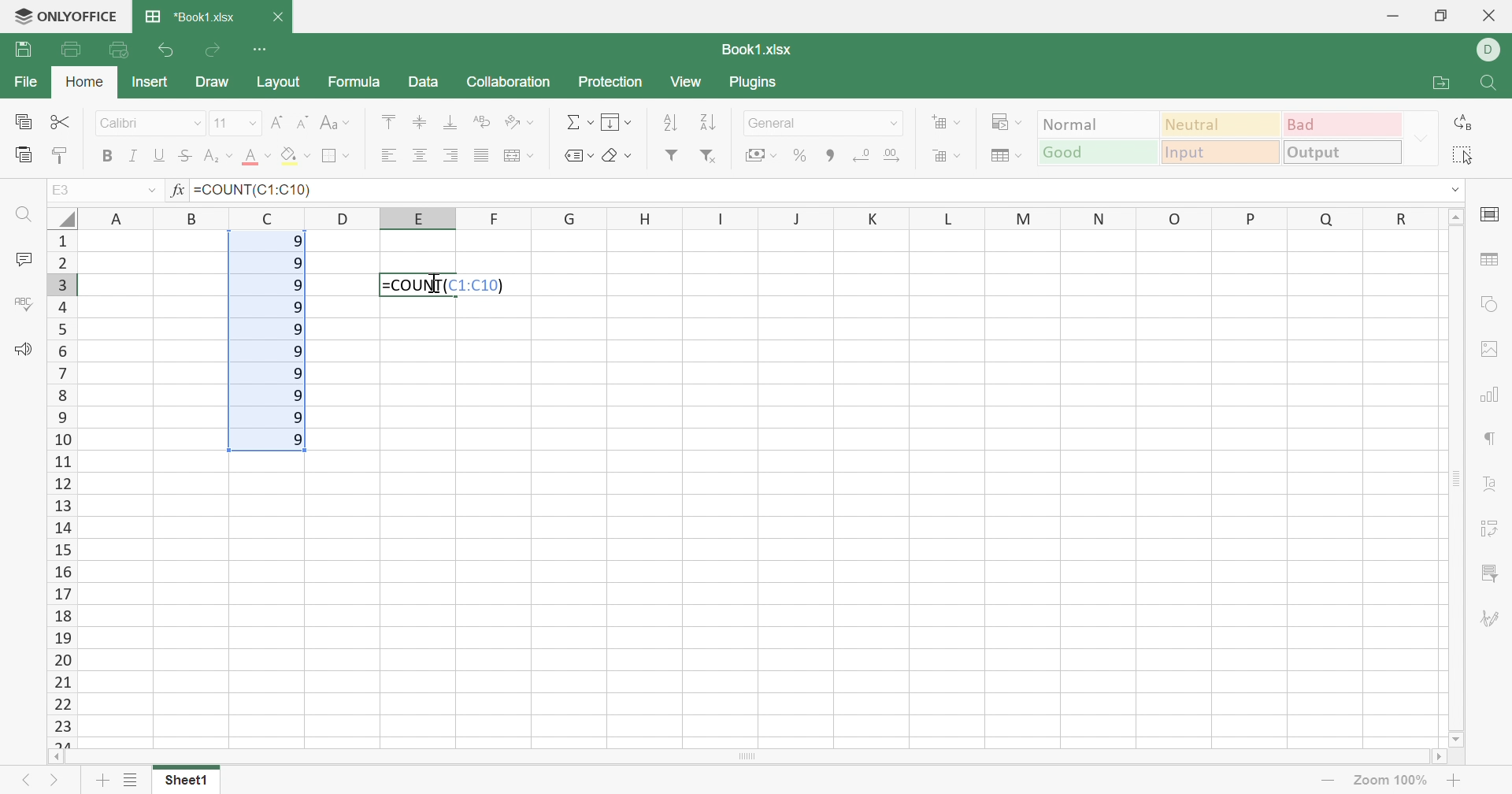 The width and height of the screenshot is (1512, 794). What do you see at coordinates (617, 86) in the screenshot?
I see `Protection` at bounding box center [617, 86].